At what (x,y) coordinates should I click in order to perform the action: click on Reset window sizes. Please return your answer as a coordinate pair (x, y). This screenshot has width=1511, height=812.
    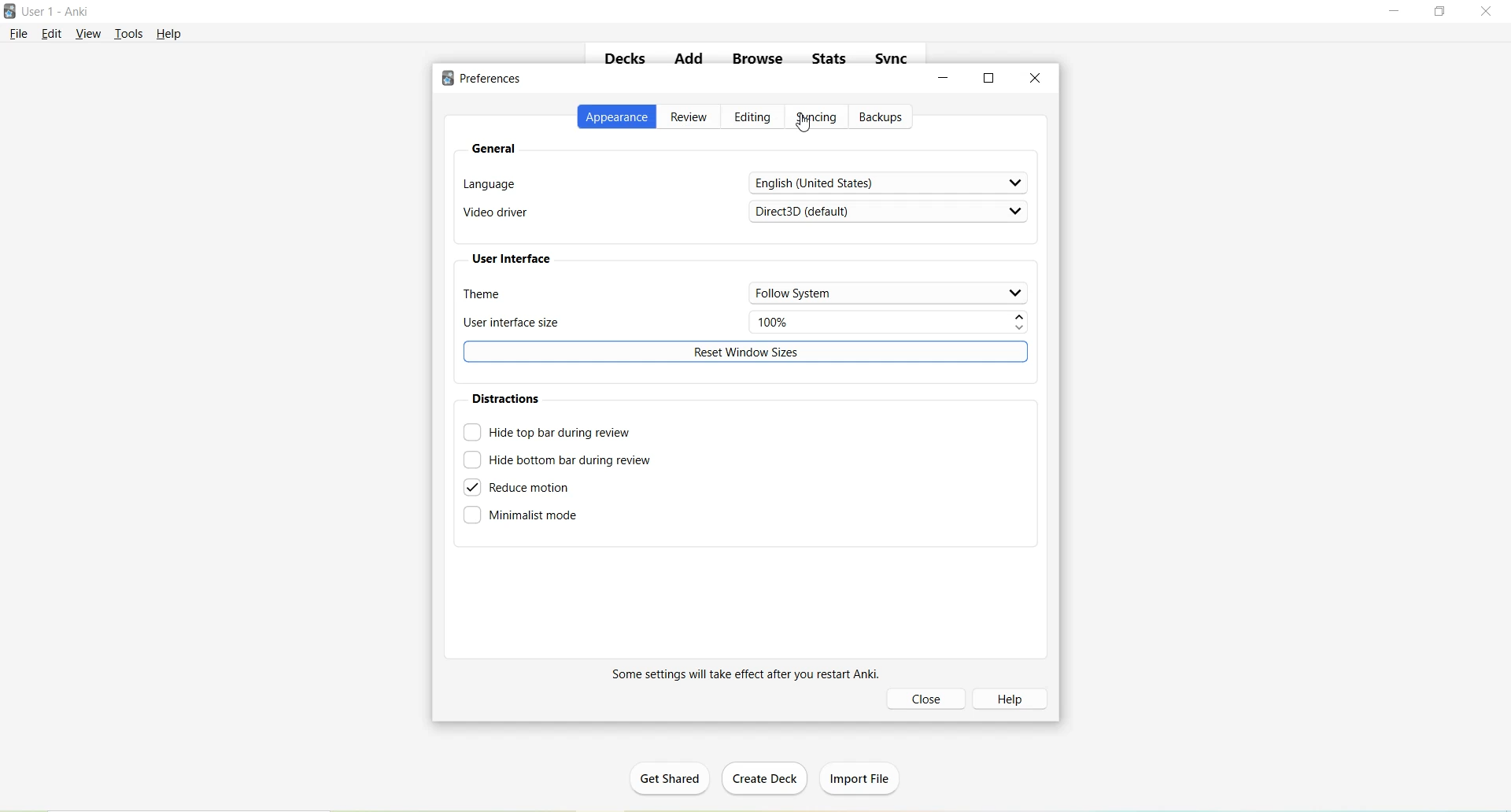
    Looking at the image, I should click on (748, 352).